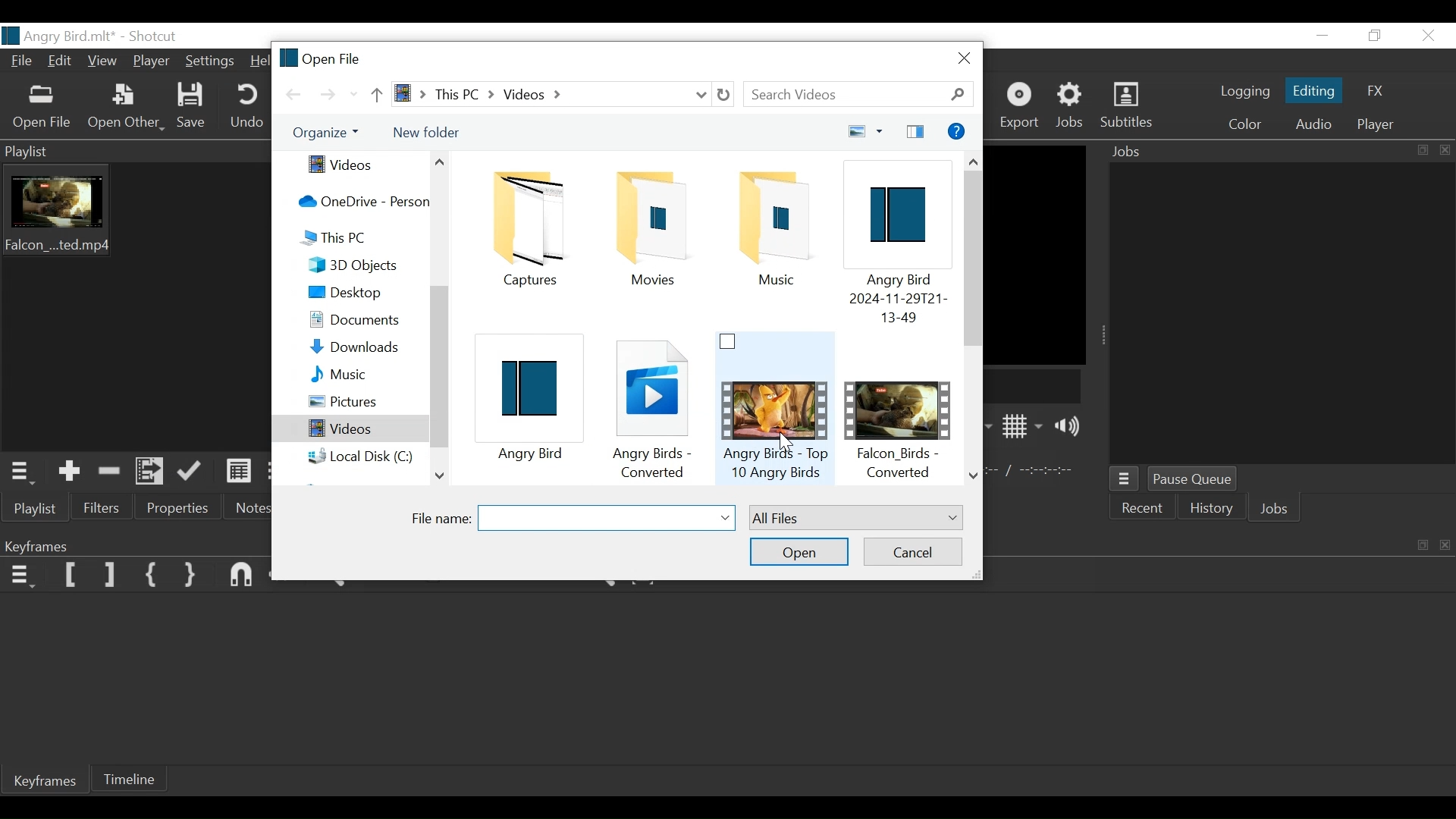 The width and height of the screenshot is (1456, 819). Describe the element at coordinates (358, 201) in the screenshot. I see `OneDrive` at that location.